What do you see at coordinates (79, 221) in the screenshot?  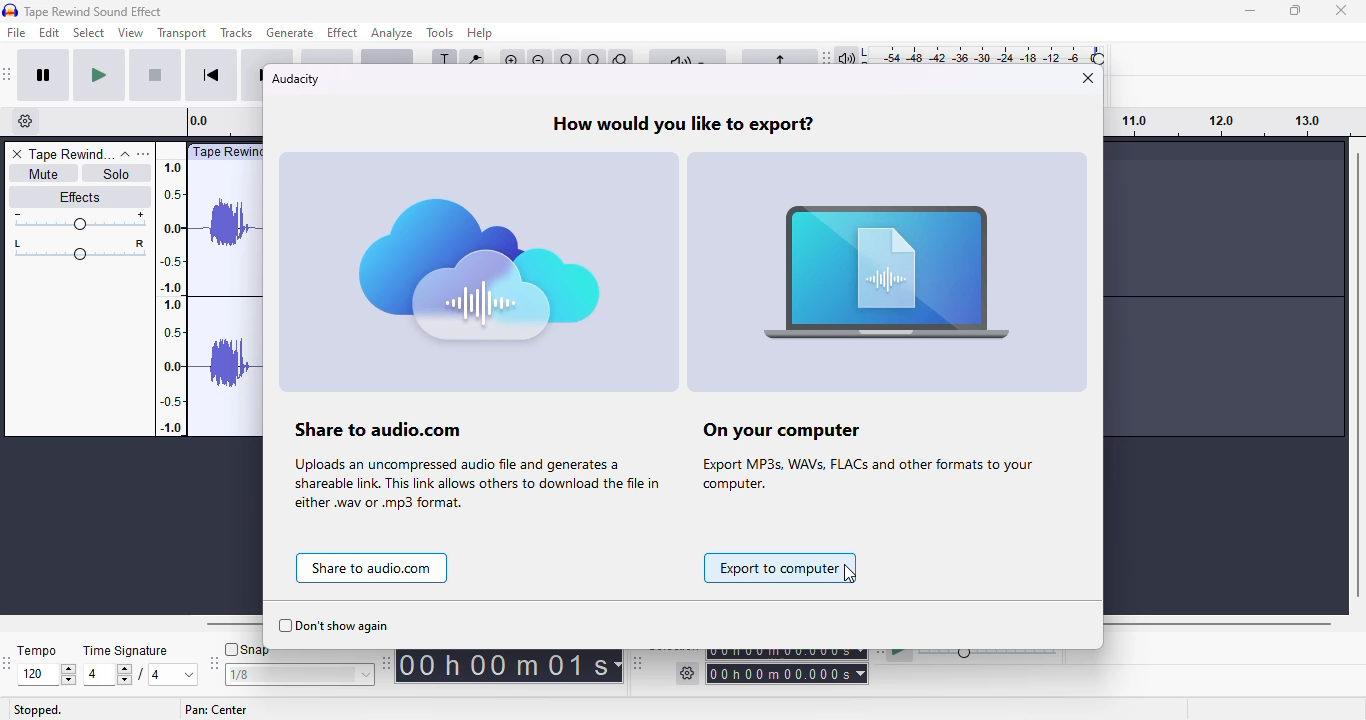 I see `volume` at bounding box center [79, 221].